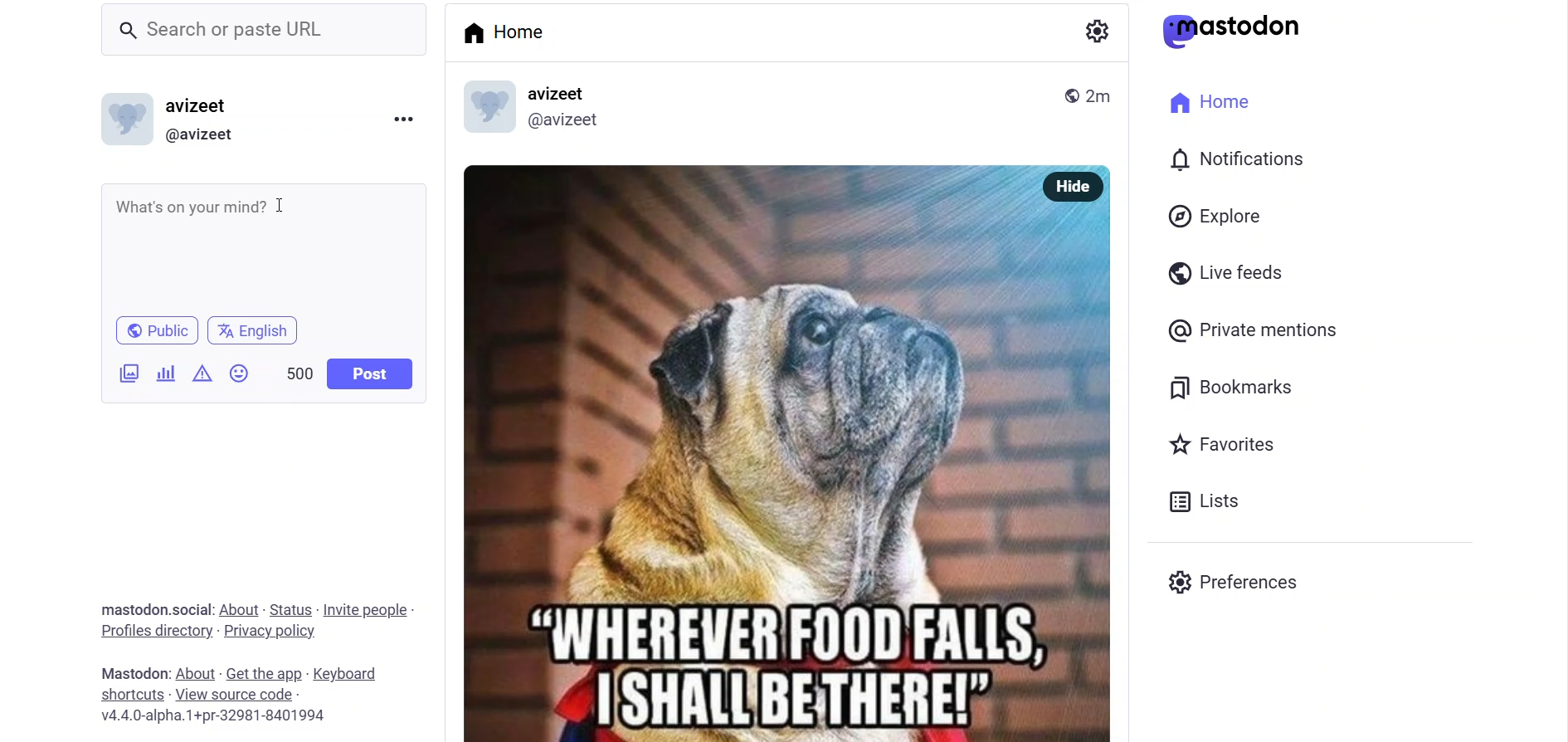  Describe the element at coordinates (1092, 32) in the screenshot. I see `setting` at that location.